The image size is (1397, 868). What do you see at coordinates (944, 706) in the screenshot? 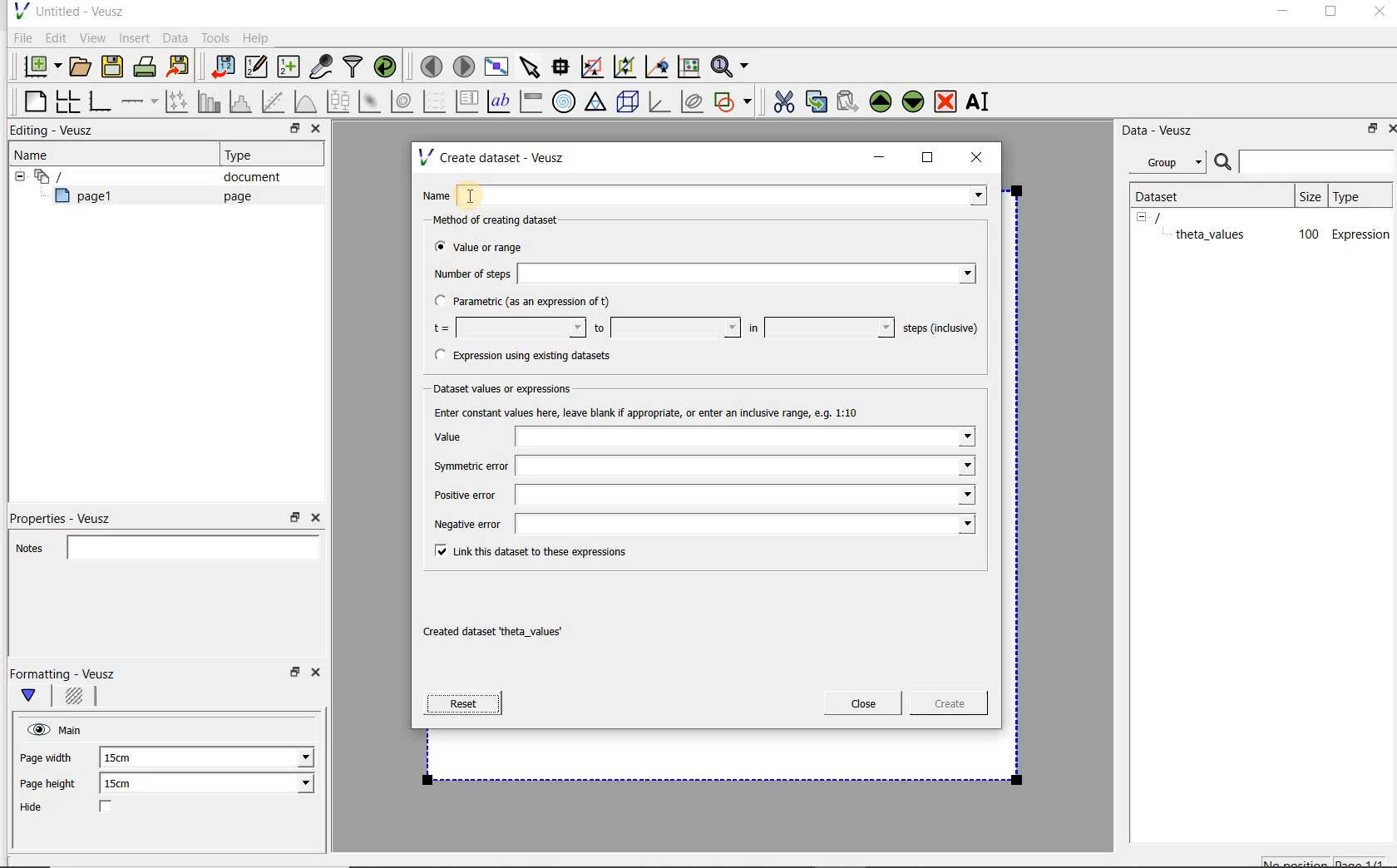
I see `Create` at bounding box center [944, 706].